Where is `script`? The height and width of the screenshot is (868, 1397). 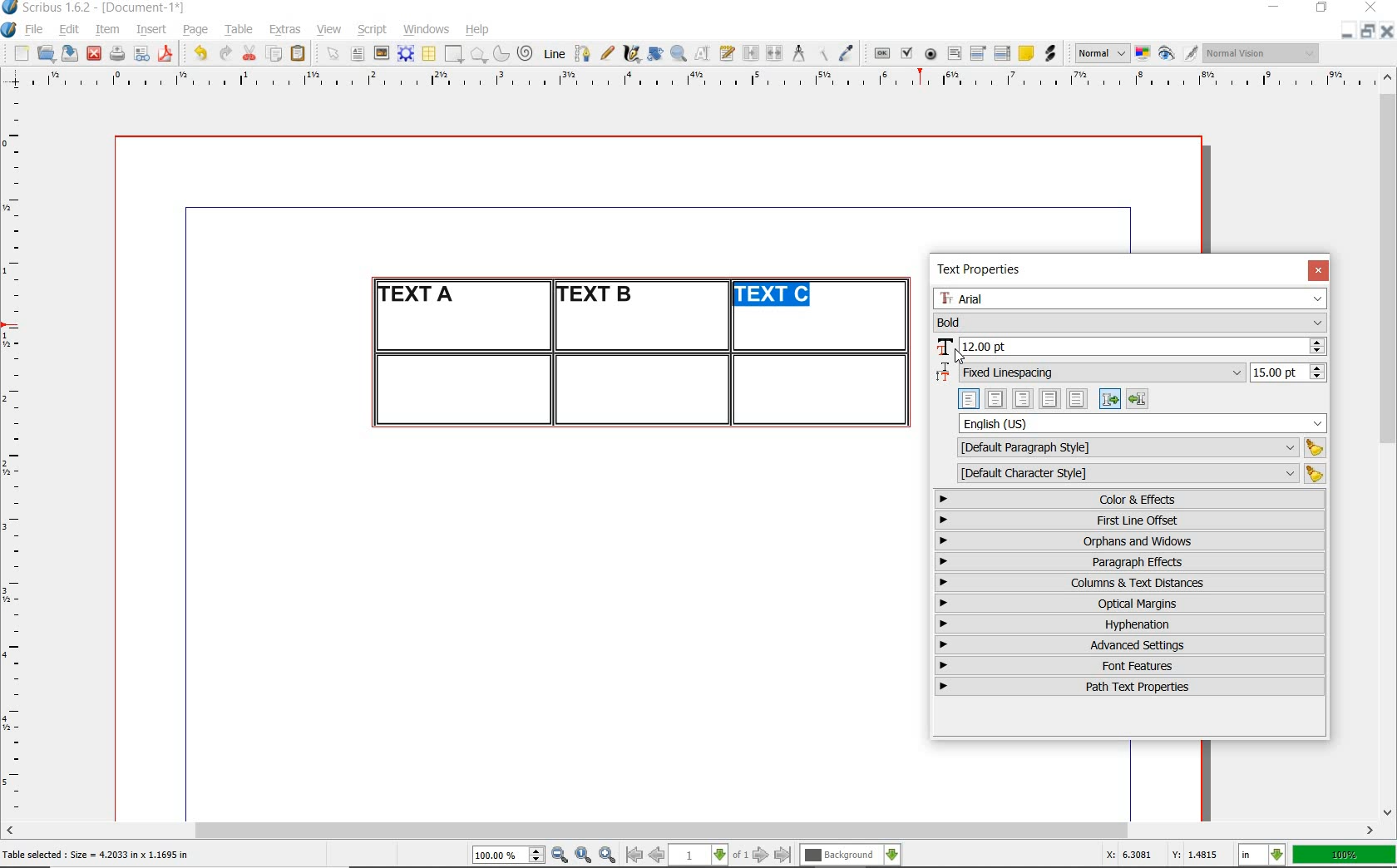 script is located at coordinates (372, 29).